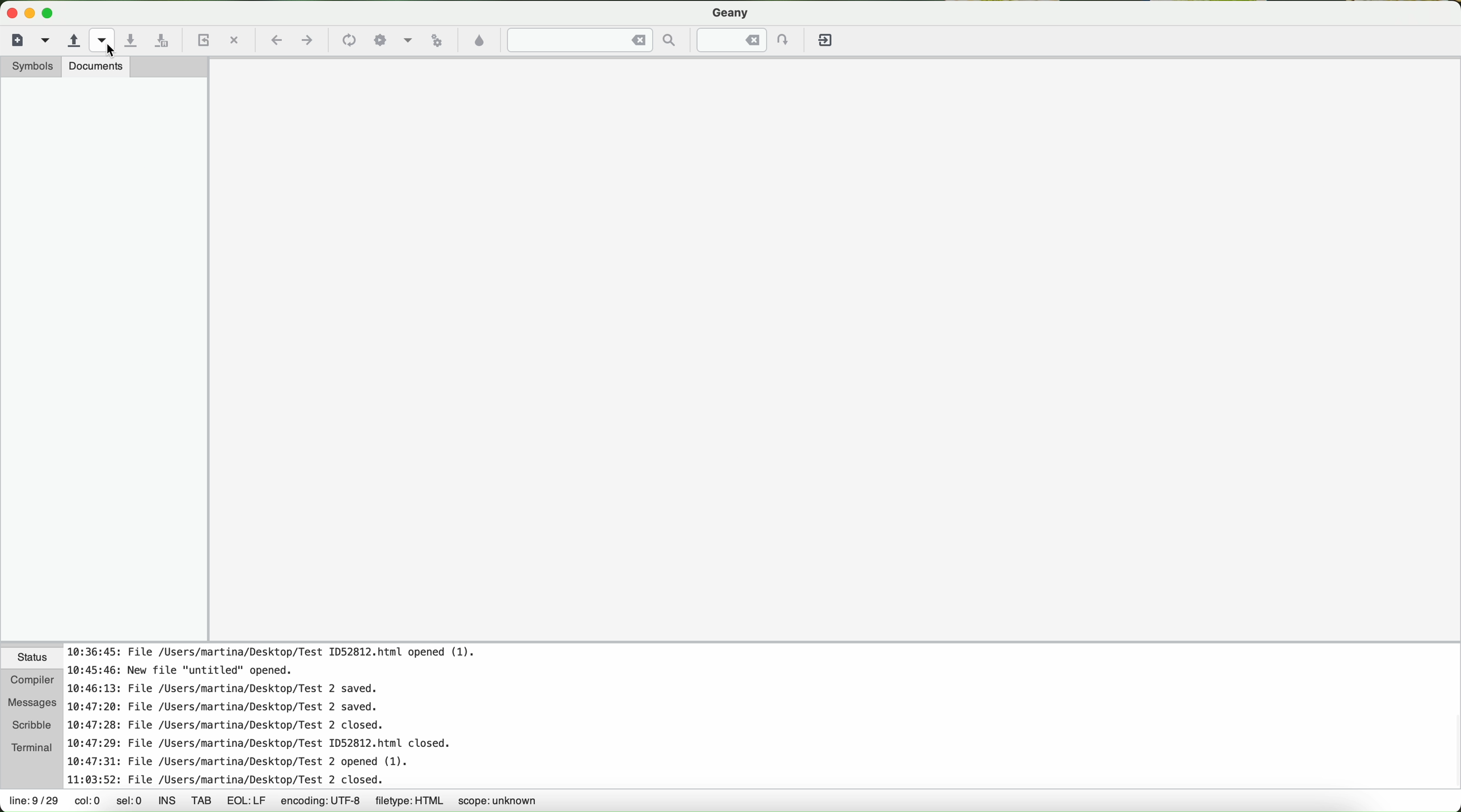 The height and width of the screenshot is (812, 1461). What do you see at coordinates (275, 802) in the screenshot?
I see `data` at bounding box center [275, 802].